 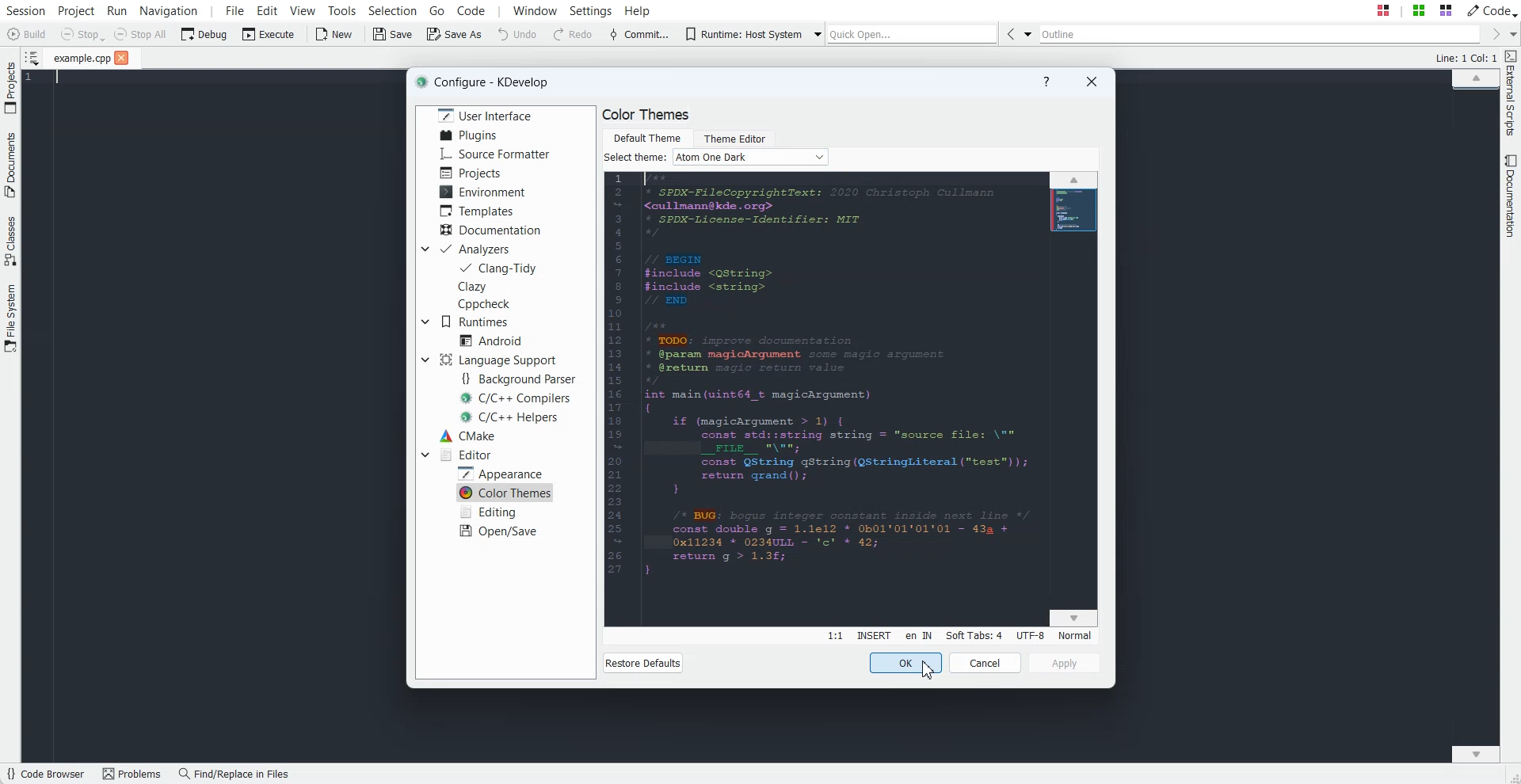 What do you see at coordinates (55, 82) in the screenshot?
I see `Text Cursor` at bounding box center [55, 82].